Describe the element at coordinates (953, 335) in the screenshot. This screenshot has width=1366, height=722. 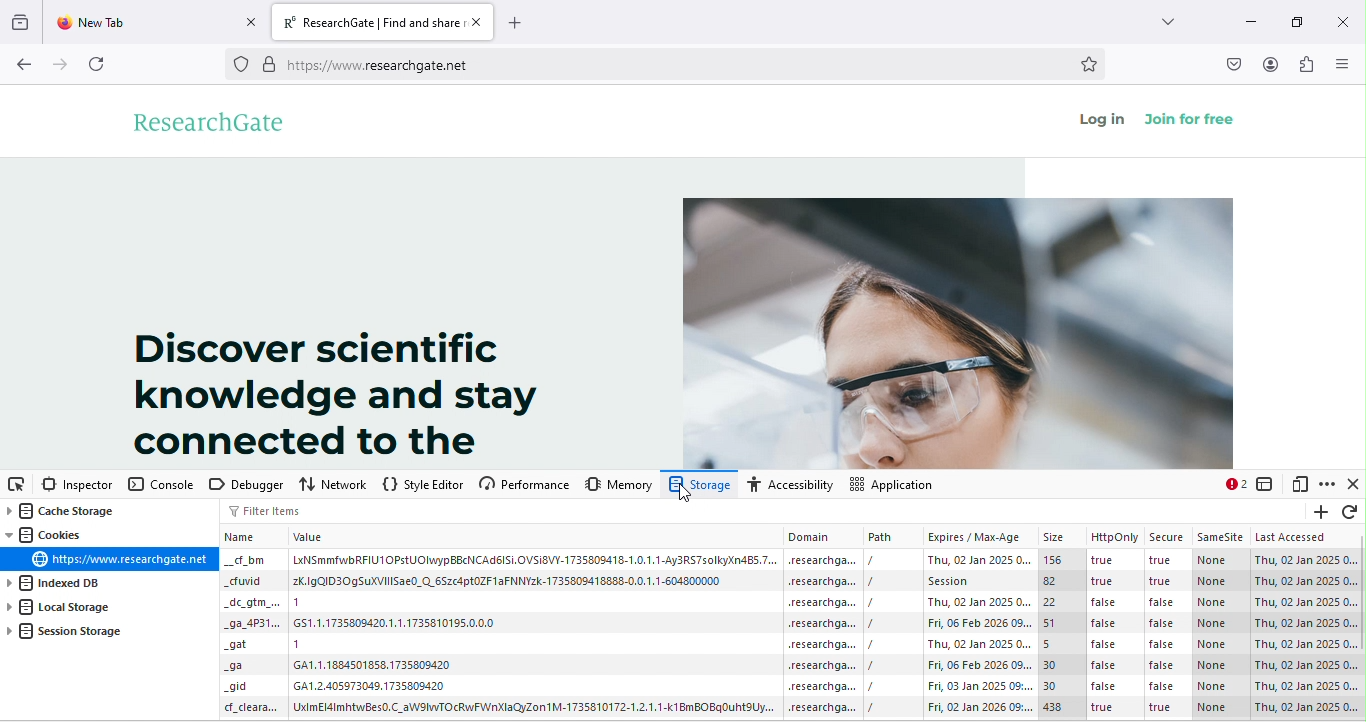
I see `image` at that location.